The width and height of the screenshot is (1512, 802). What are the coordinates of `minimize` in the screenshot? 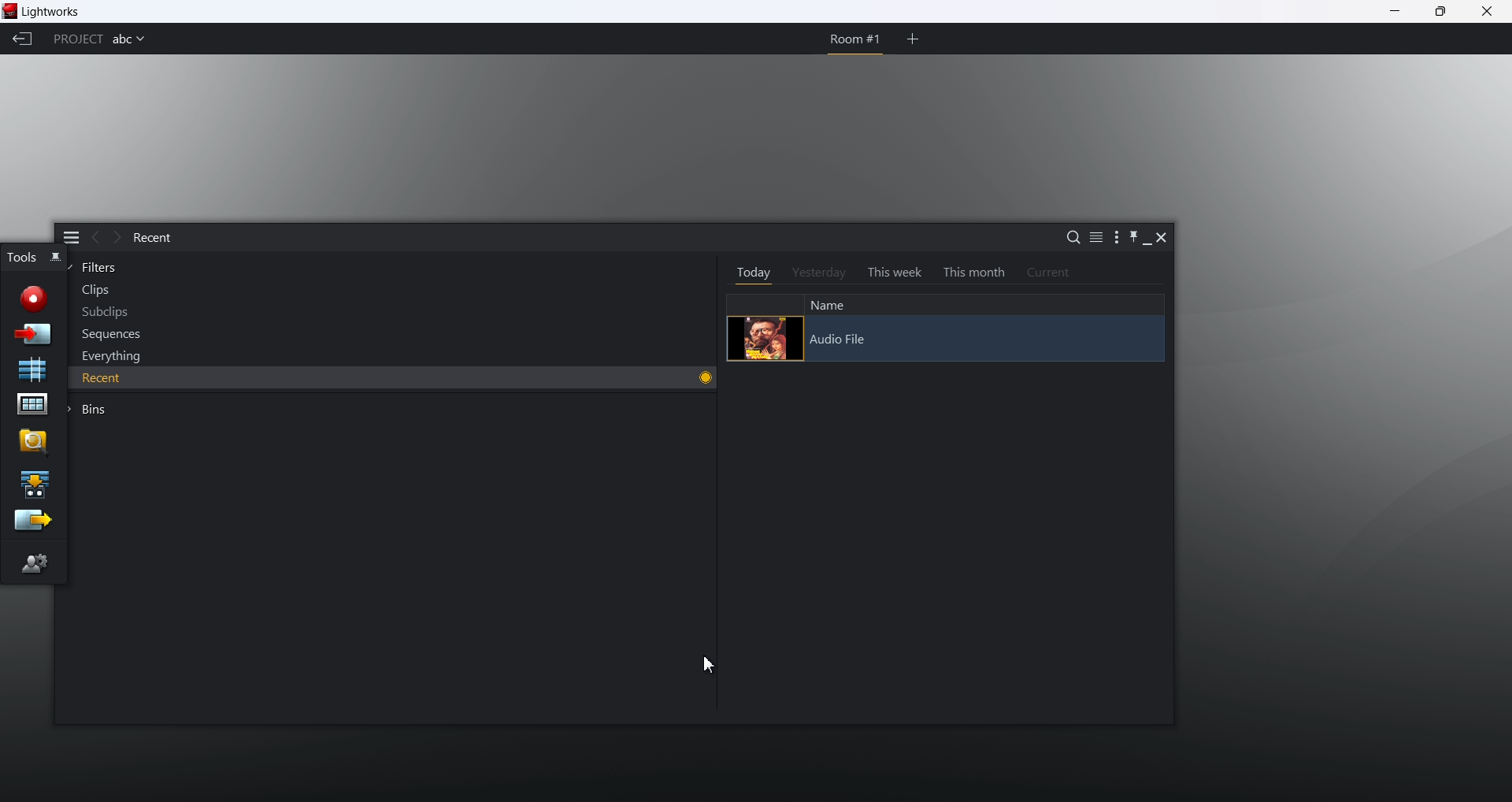 It's located at (1146, 239).